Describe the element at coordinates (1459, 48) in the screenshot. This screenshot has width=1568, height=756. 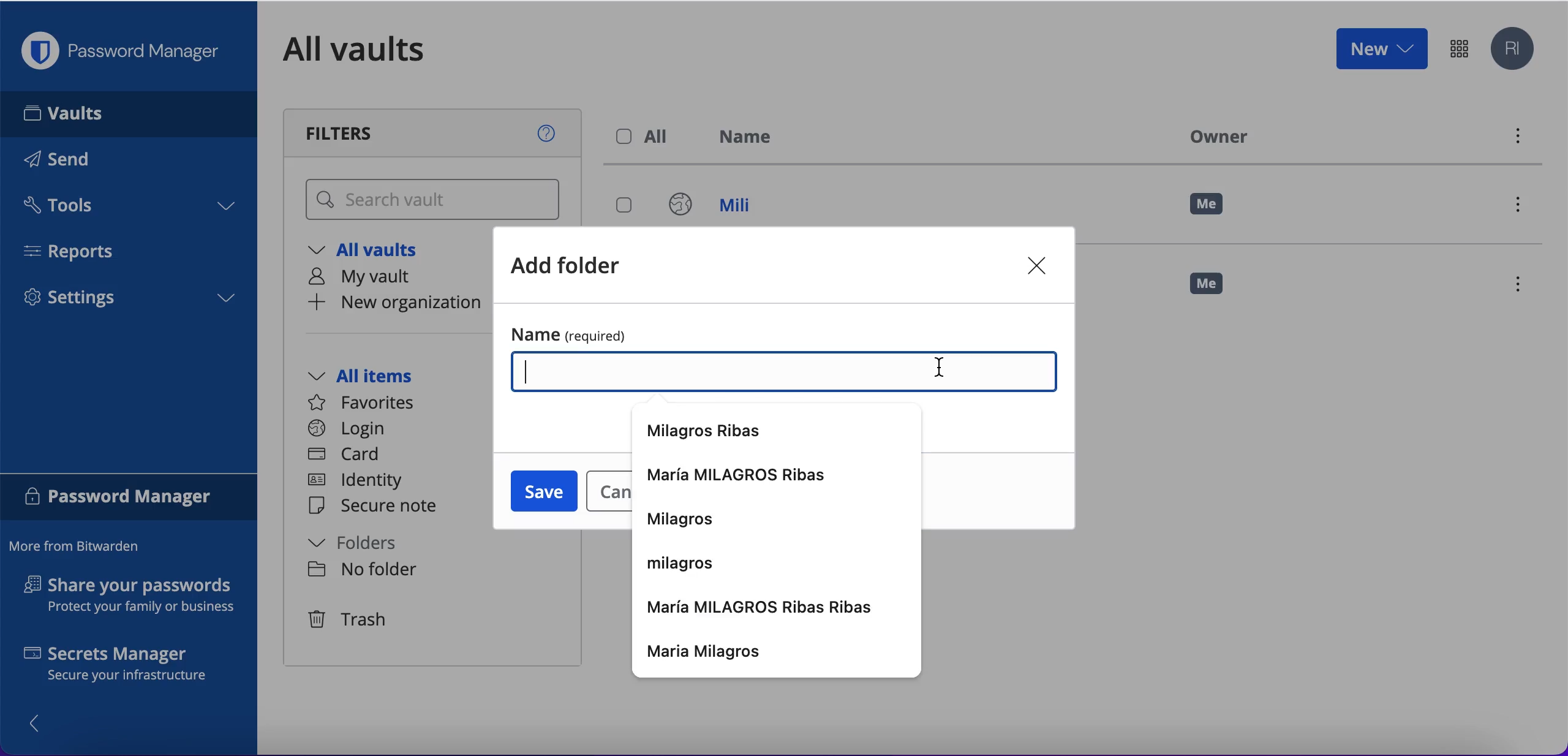
I see `password manager` at that location.